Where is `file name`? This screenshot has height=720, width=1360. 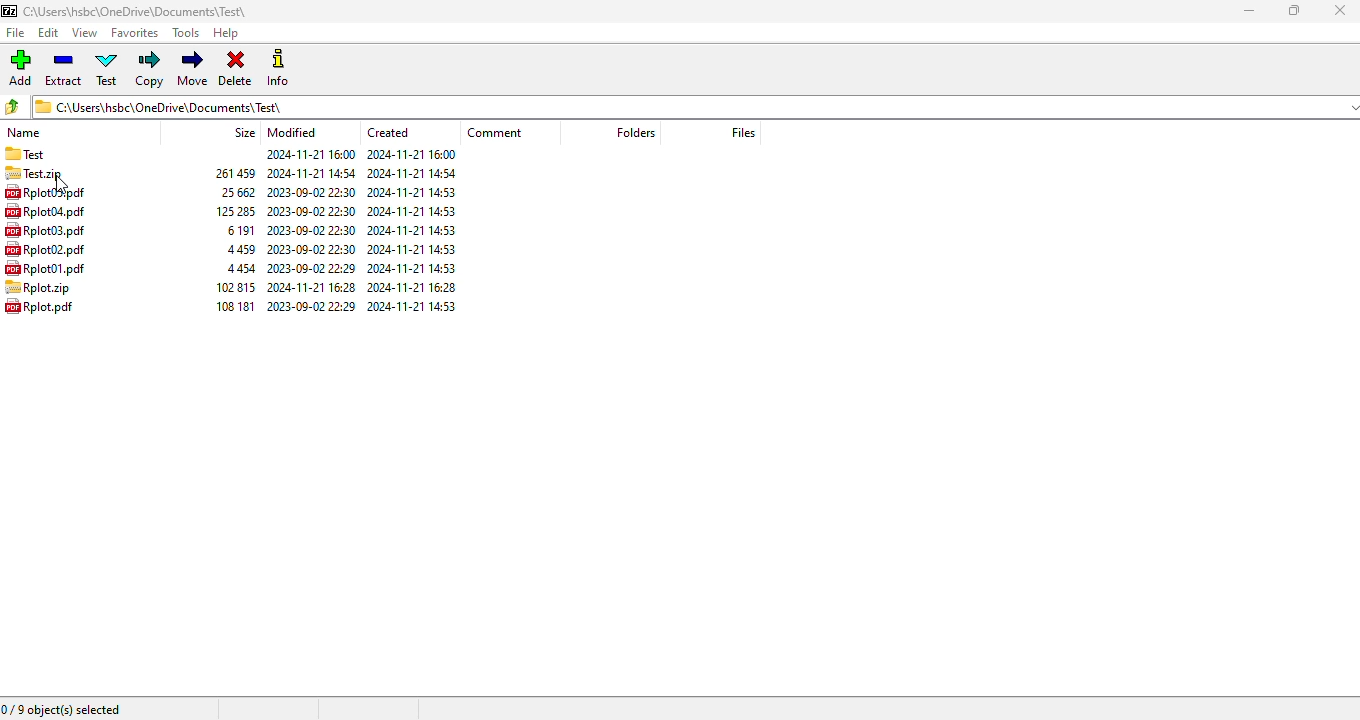
file name is located at coordinates (39, 306).